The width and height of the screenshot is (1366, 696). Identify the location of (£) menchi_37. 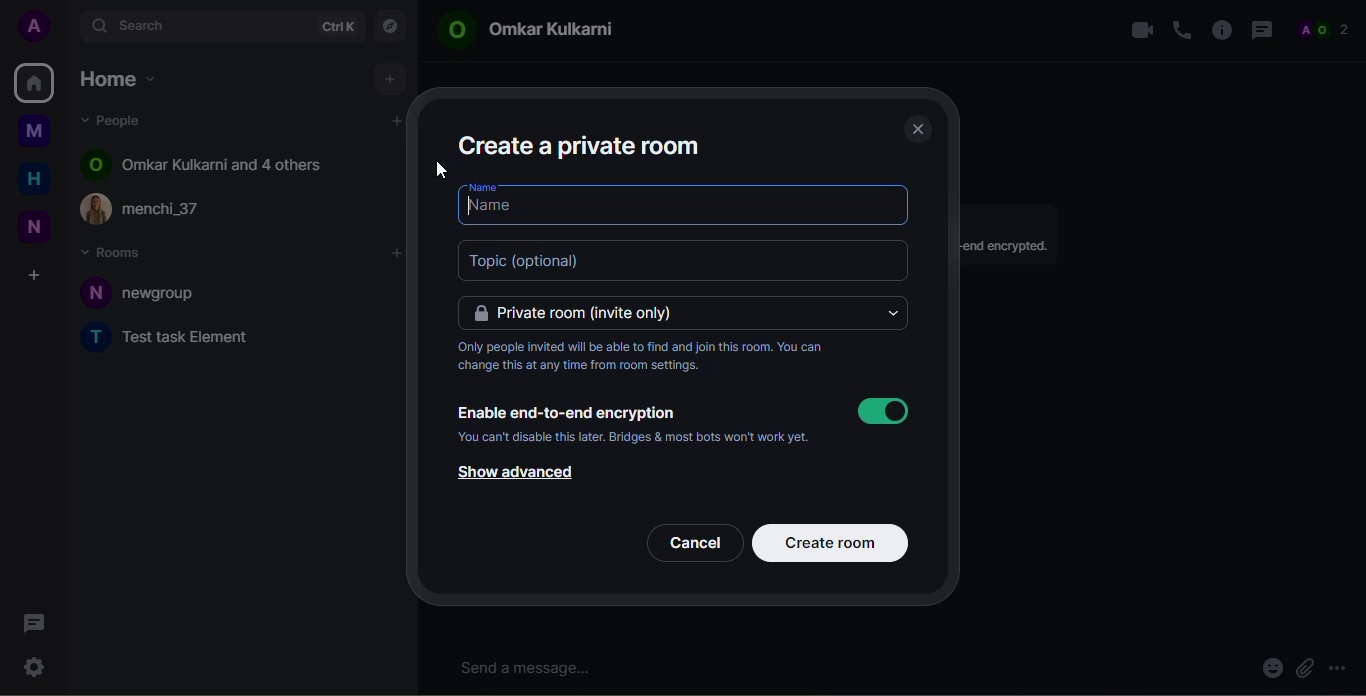
(153, 211).